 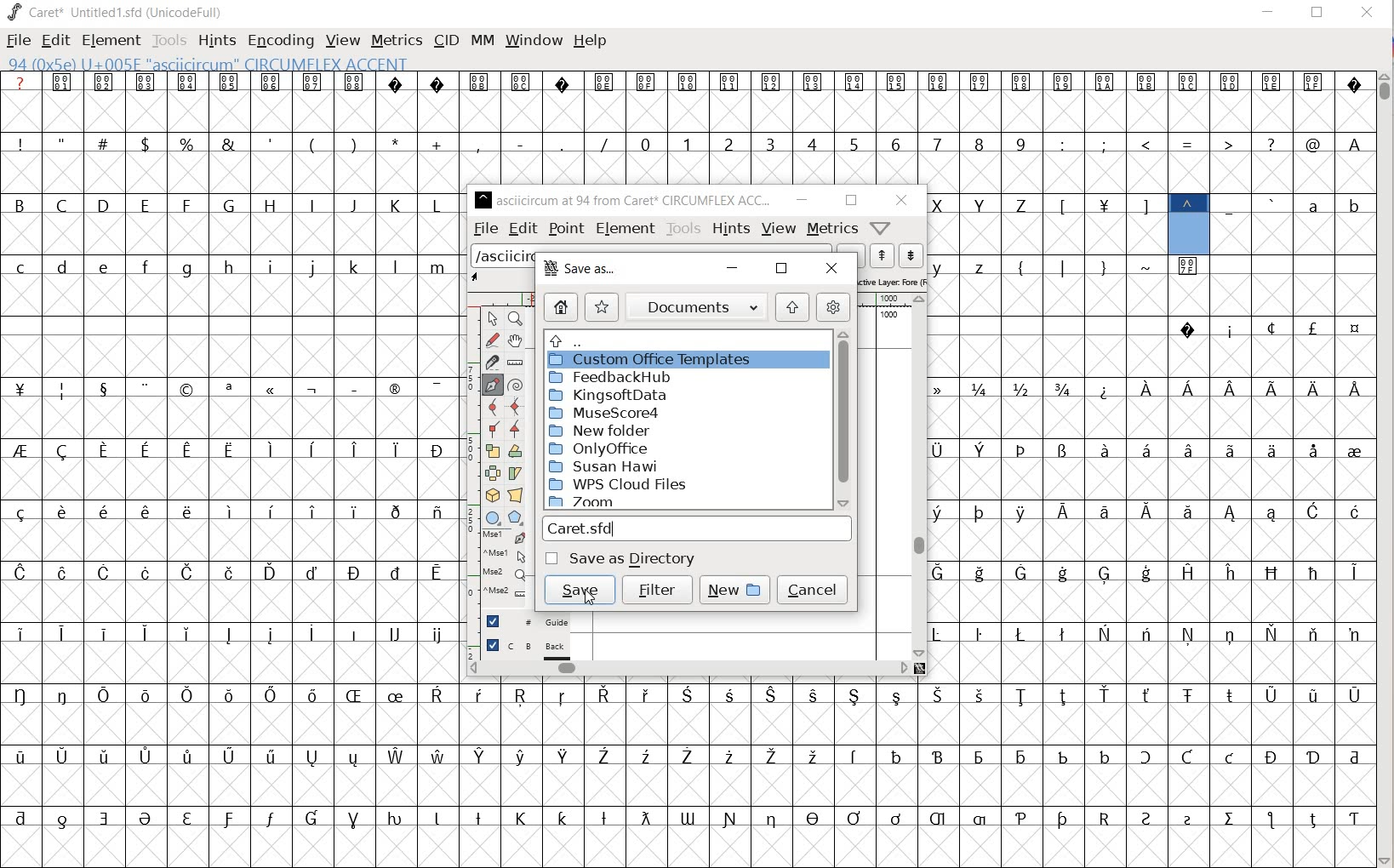 What do you see at coordinates (523, 229) in the screenshot?
I see `edit` at bounding box center [523, 229].